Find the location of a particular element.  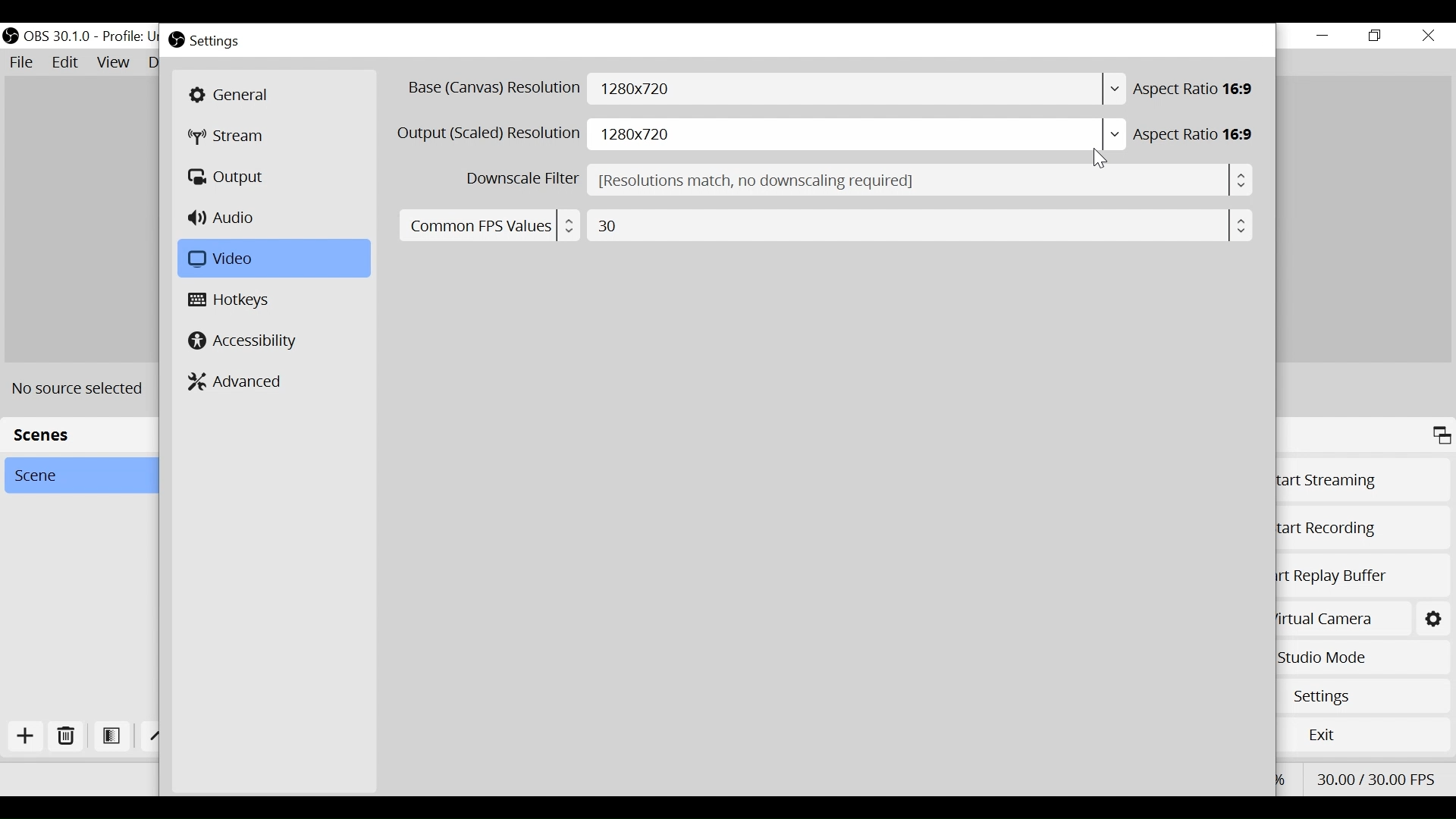

No Source Selected is located at coordinates (83, 388).